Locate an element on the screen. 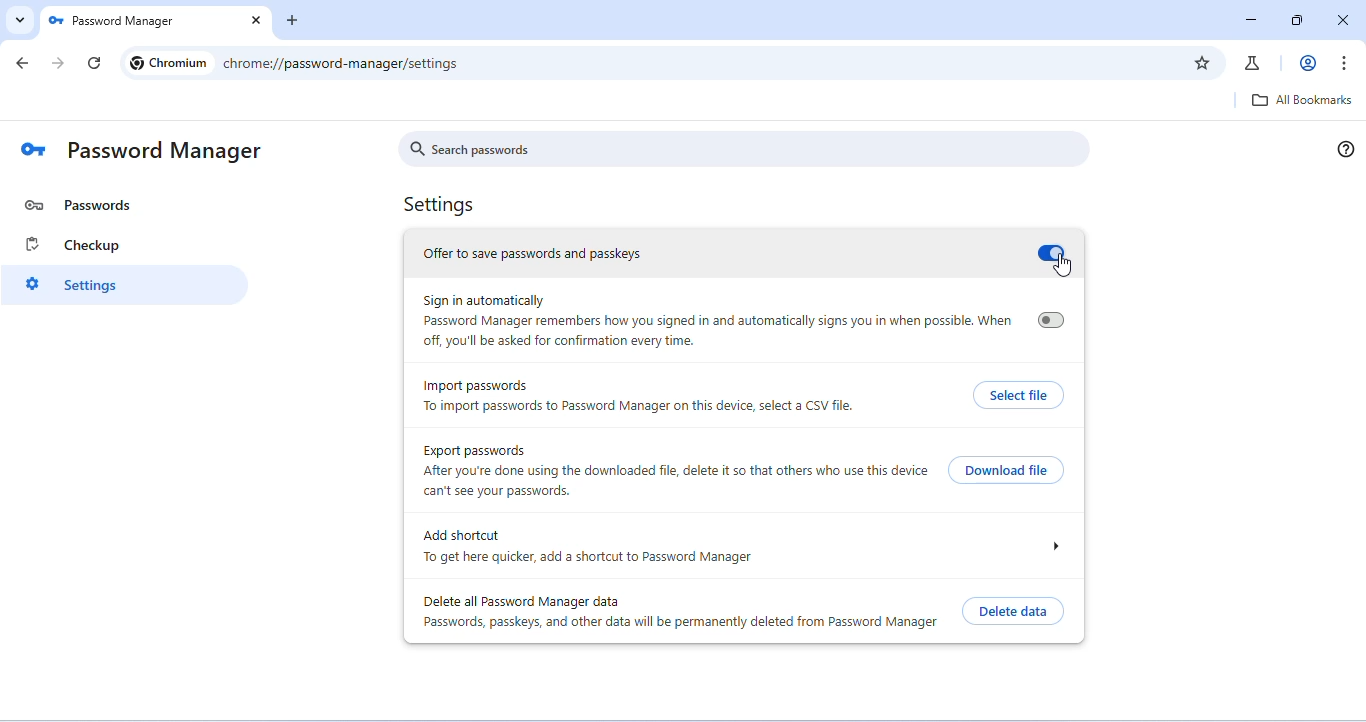  account is located at coordinates (1305, 63).